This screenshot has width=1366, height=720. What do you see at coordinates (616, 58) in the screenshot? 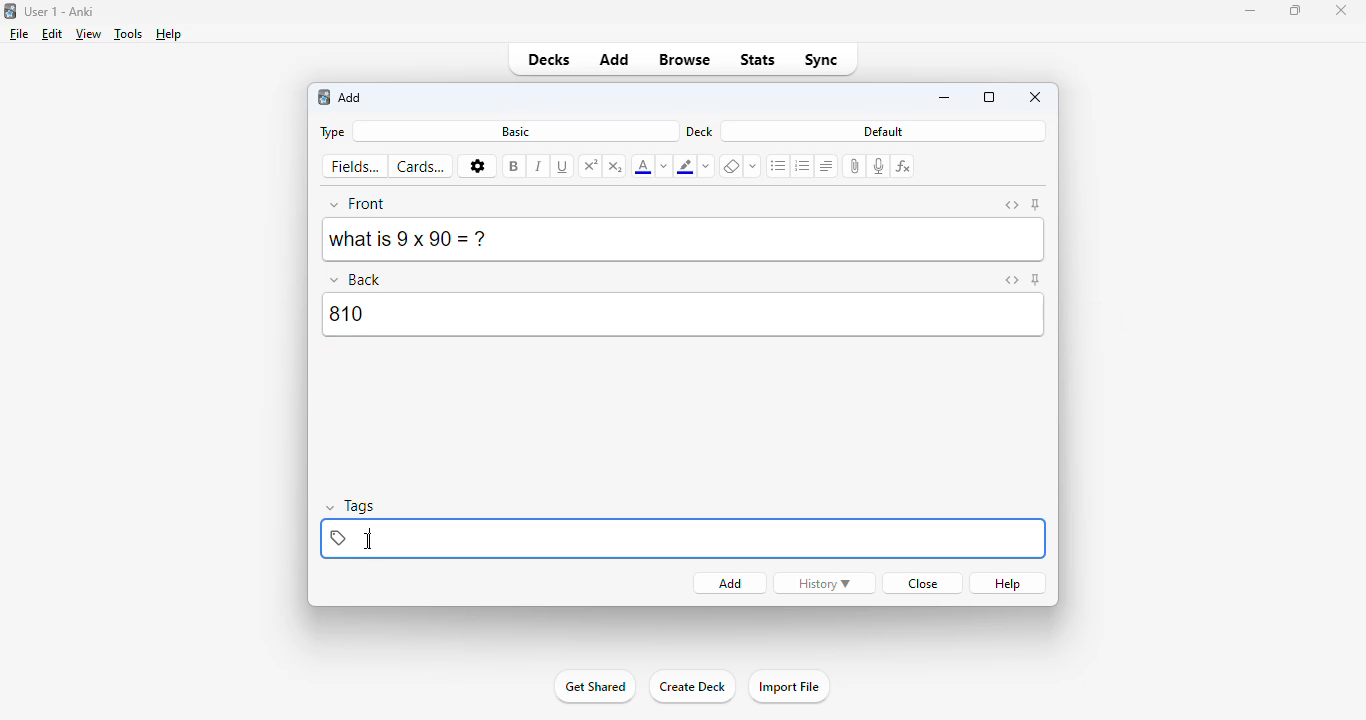
I see `add` at bounding box center [616, 58].